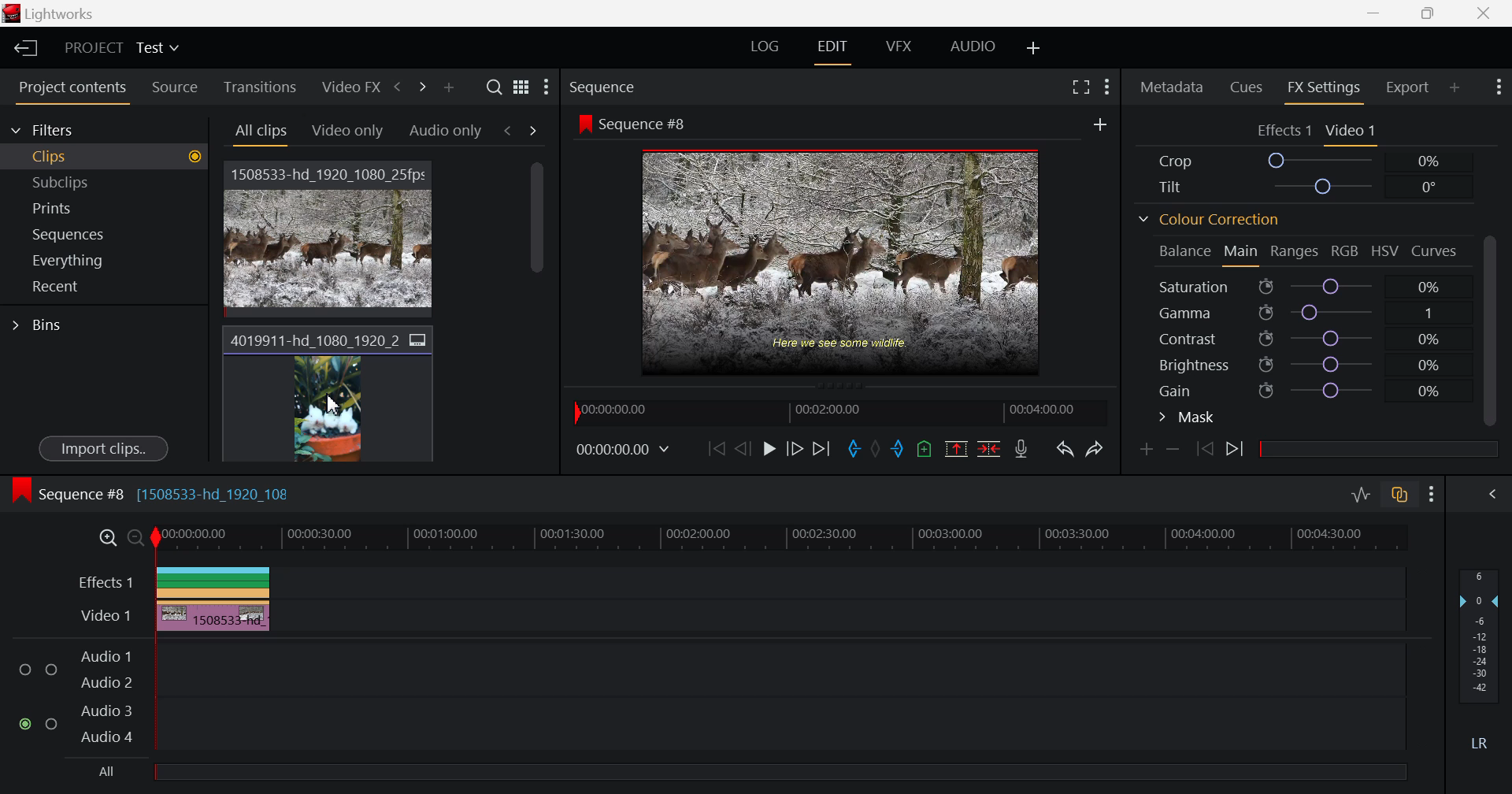 This screenshot has height=794, width=1512. I want to click on Brightness, so click(1304, 363).